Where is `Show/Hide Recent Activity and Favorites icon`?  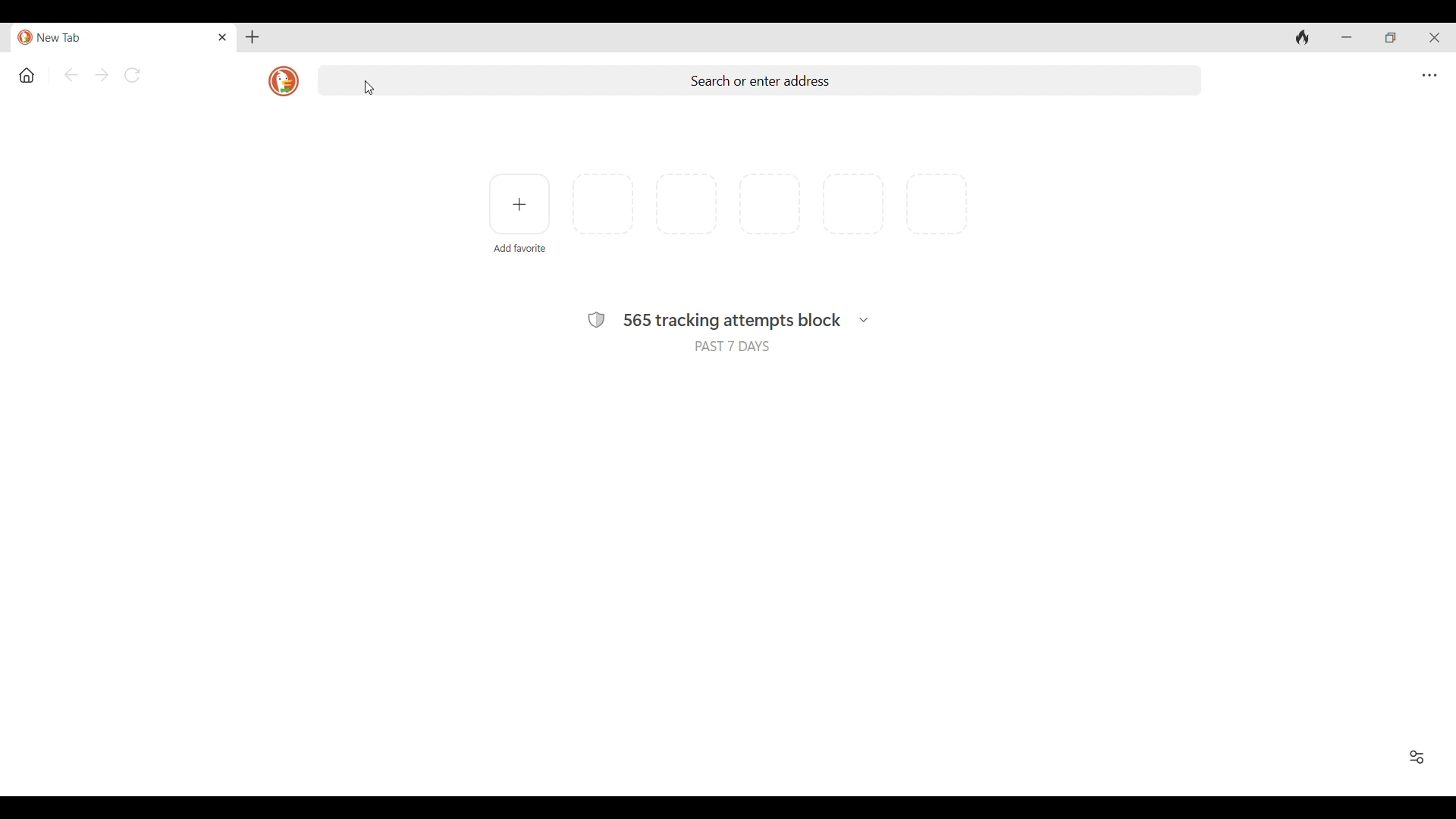 Show/Hide Recent Activity and Favorites icon is located at coordinates (1417, 758).